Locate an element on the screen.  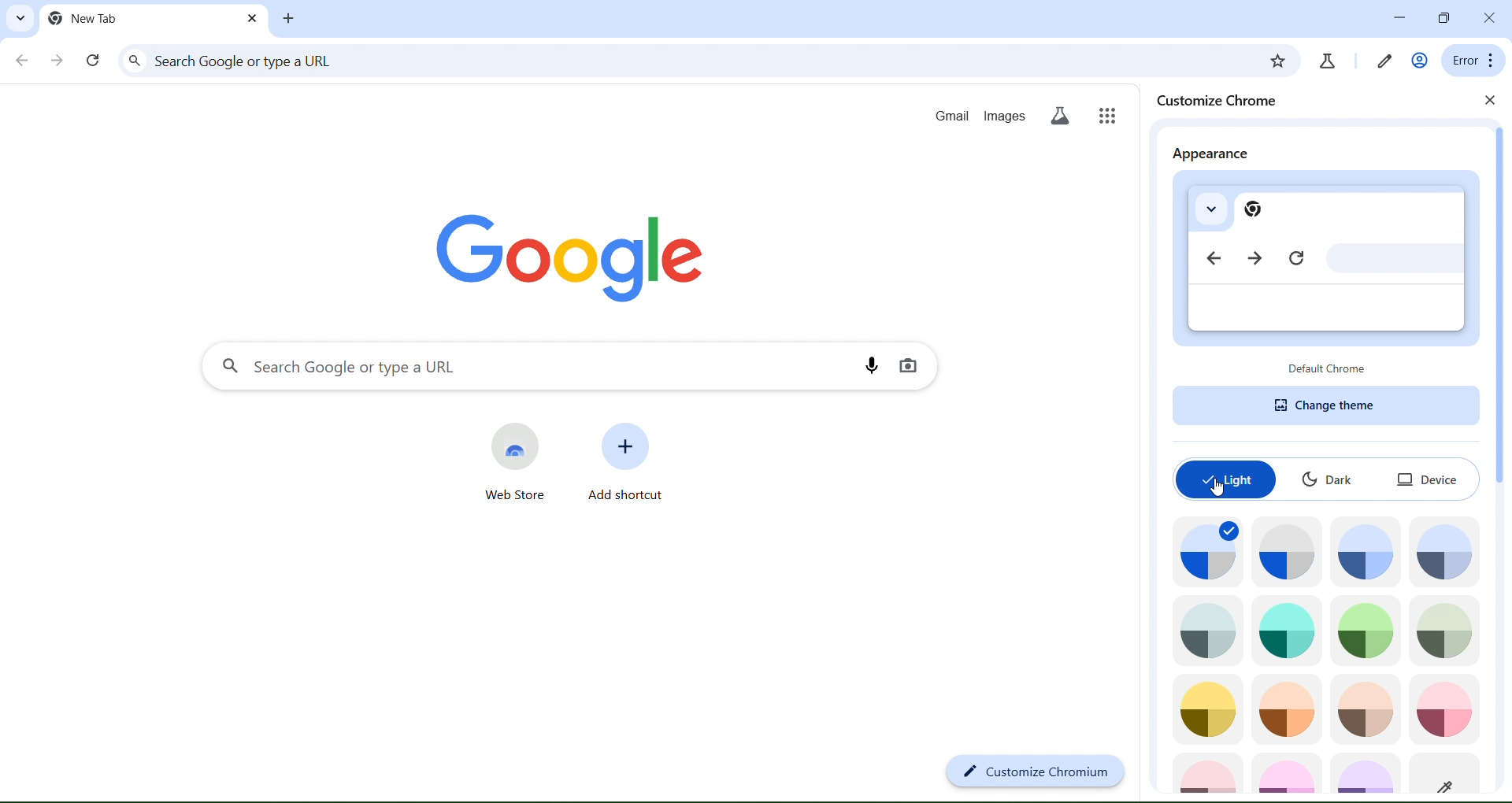
image is located at coordinates (1369, 551).